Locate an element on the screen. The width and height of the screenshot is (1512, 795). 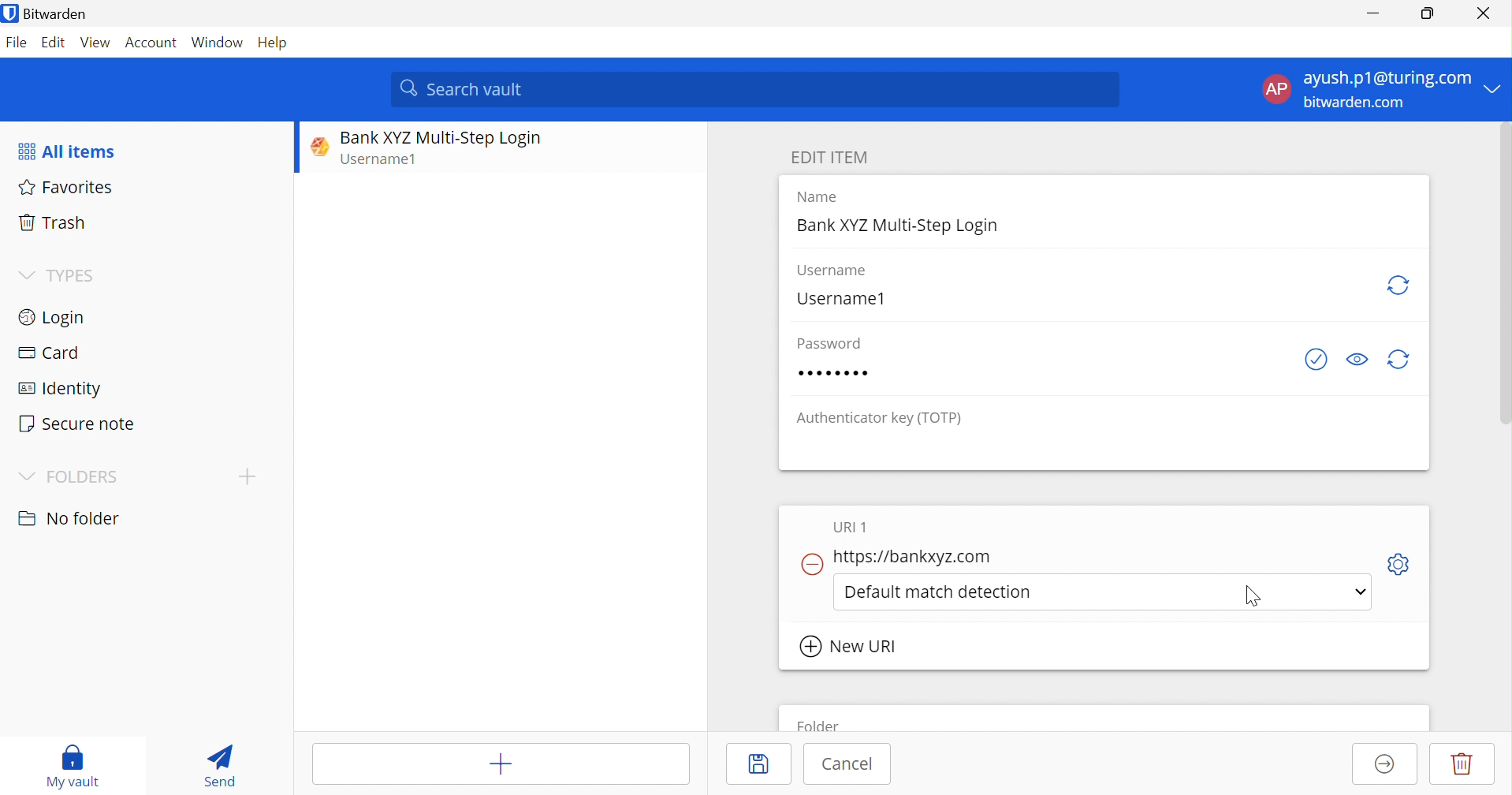
FOLDERS is located at coordinates (84, 477).